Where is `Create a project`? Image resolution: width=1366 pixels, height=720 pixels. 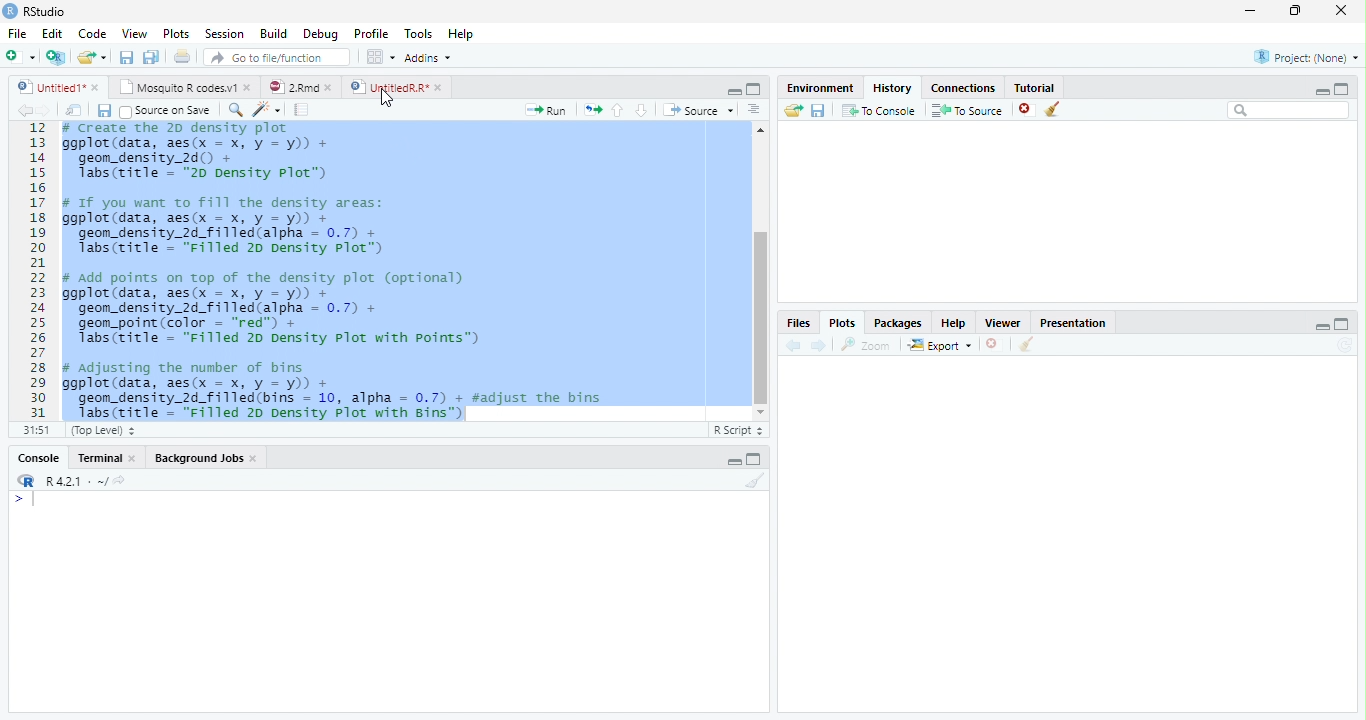
Create a project is located at coordinates (55, 57).